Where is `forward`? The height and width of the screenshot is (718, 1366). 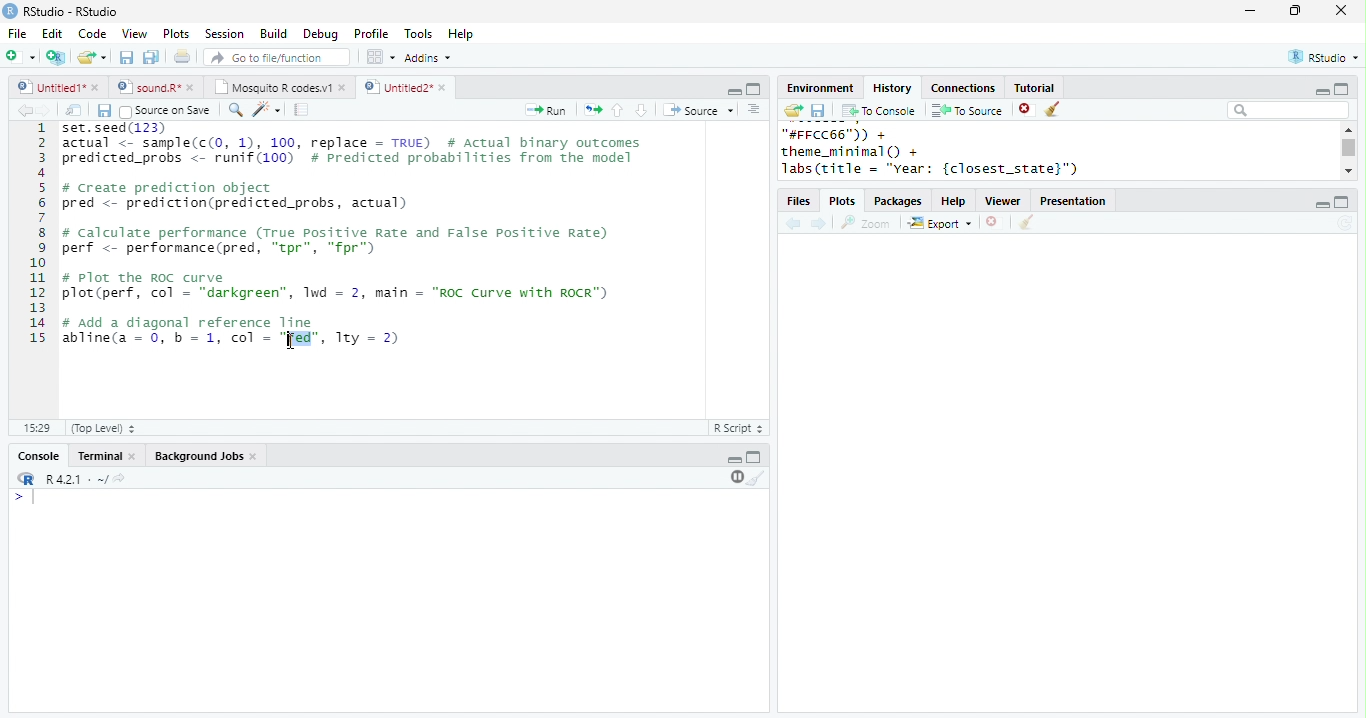 forward is located at coordinates (820, 225).